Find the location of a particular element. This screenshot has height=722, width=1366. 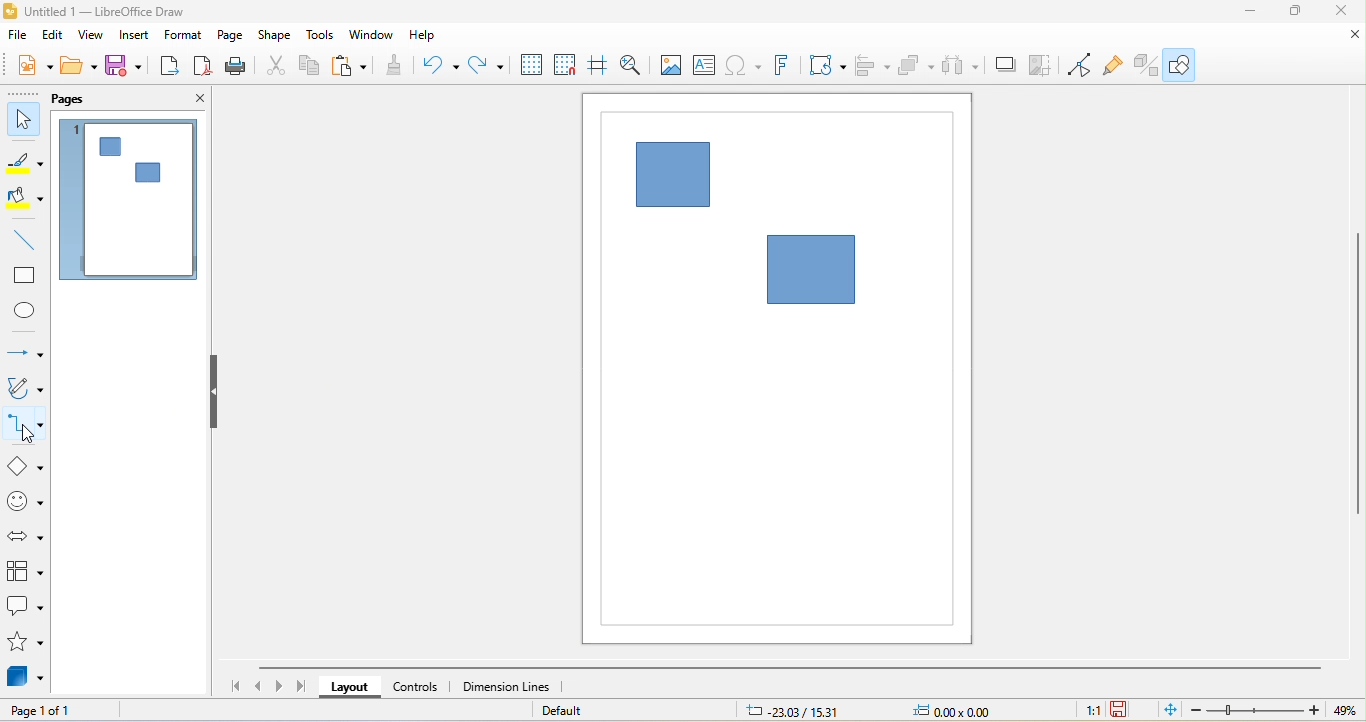

clone formatting is located at coordinates (397, 68).